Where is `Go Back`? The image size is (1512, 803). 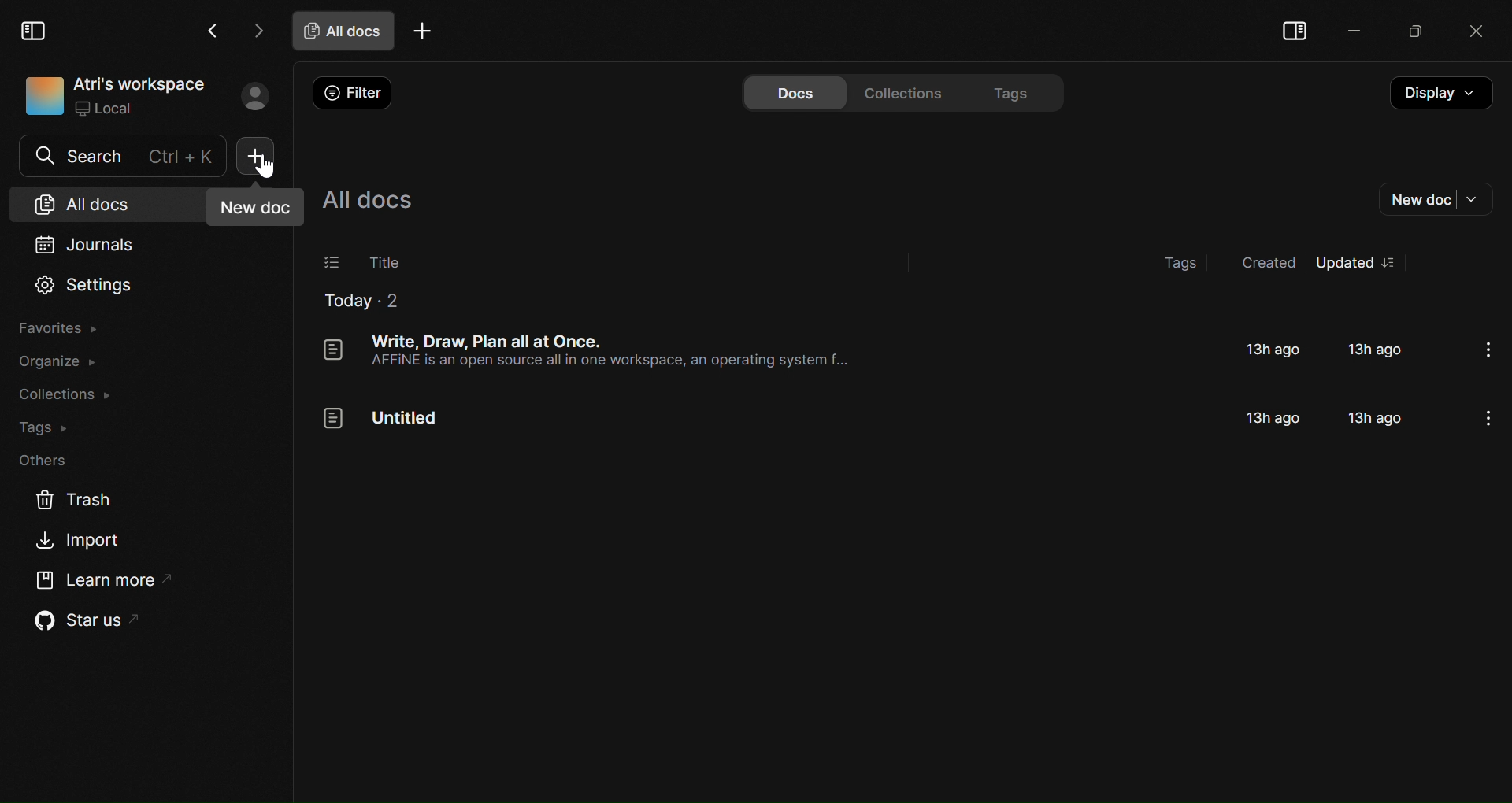
Go Back is located at coordinates (213, 31).